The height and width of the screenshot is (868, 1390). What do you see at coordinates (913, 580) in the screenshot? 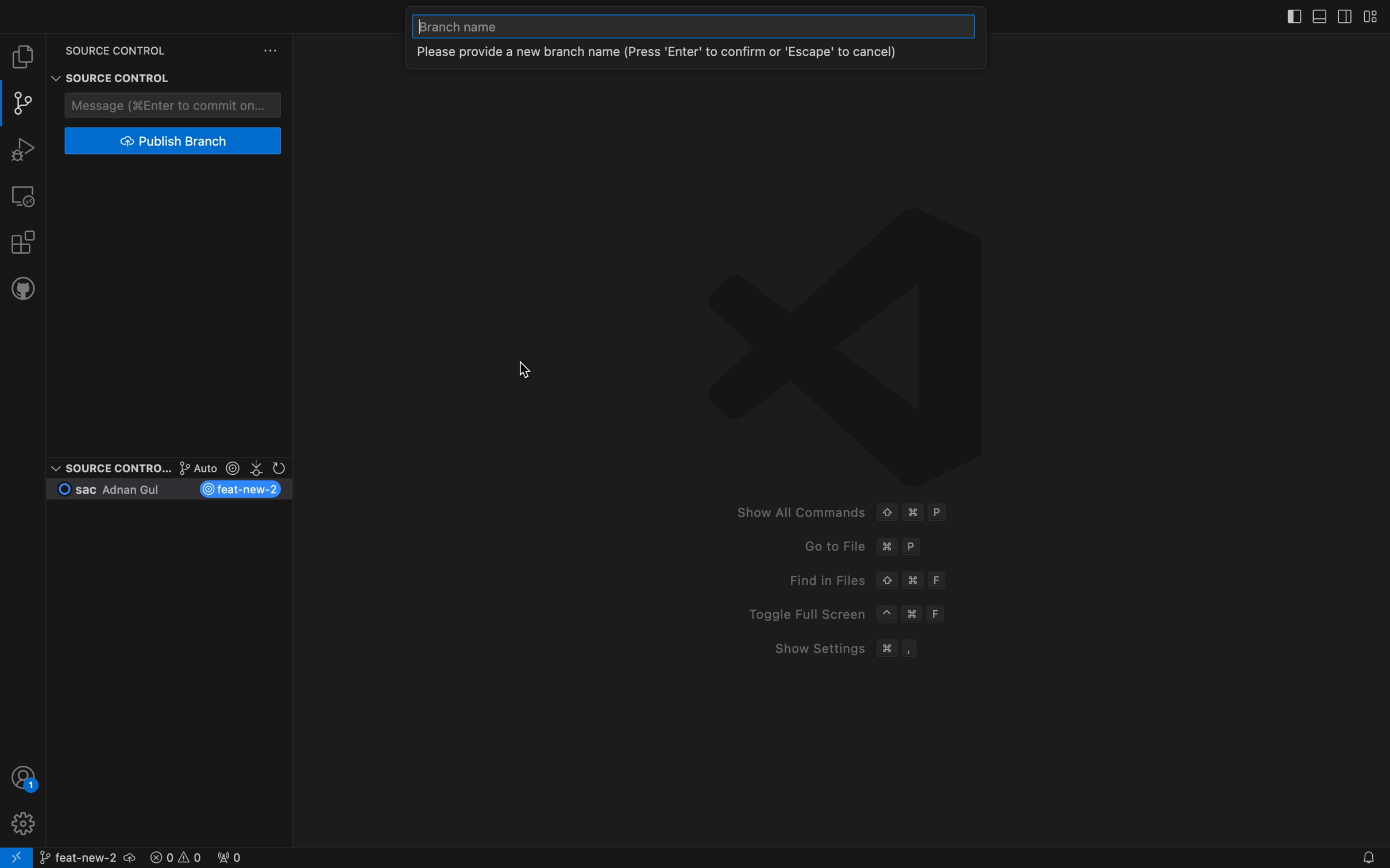
I see `Command` at bounding box center [913, 580].